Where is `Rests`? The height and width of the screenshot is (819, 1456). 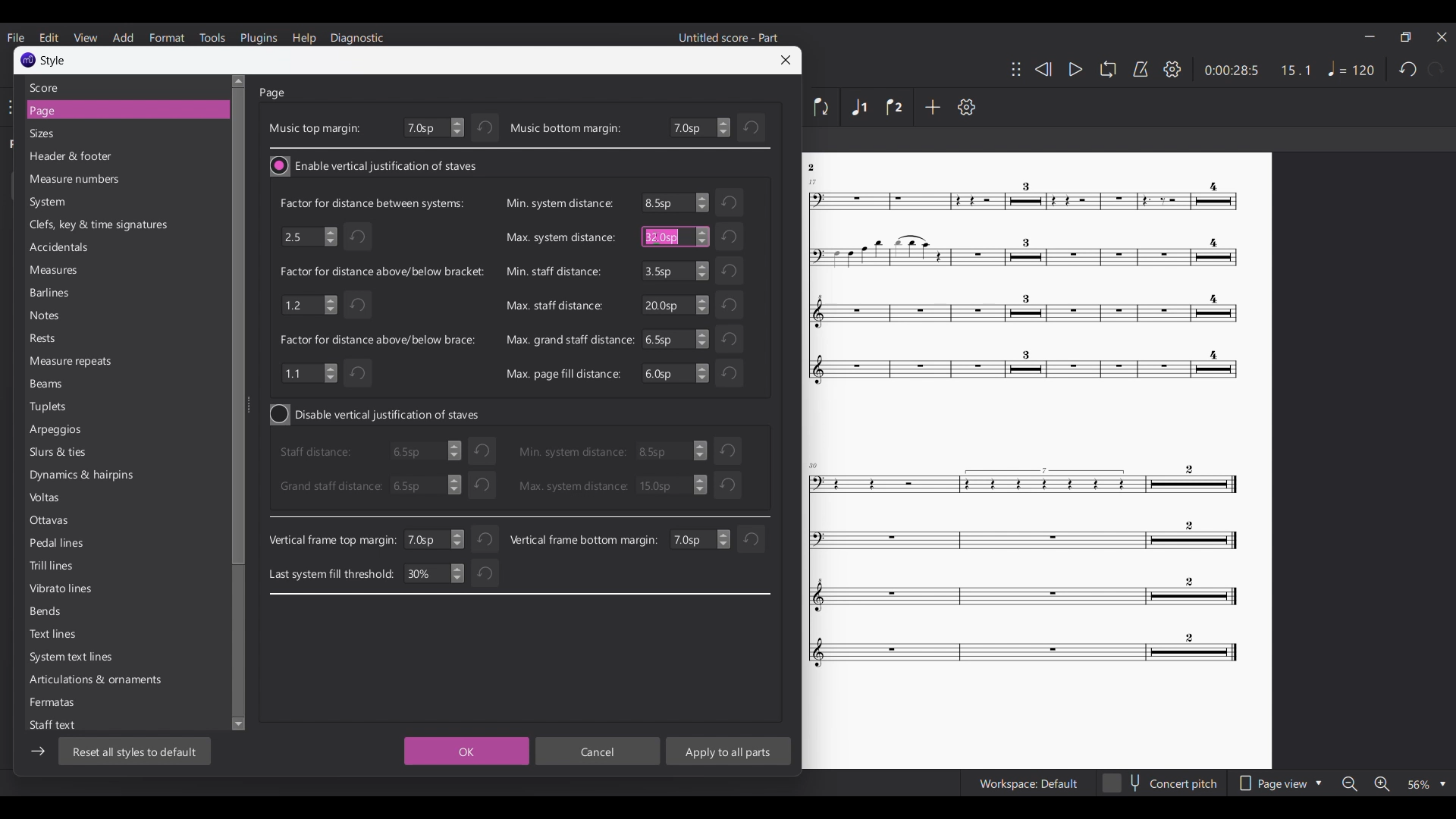
Rests is located at coordinates (71, 340).